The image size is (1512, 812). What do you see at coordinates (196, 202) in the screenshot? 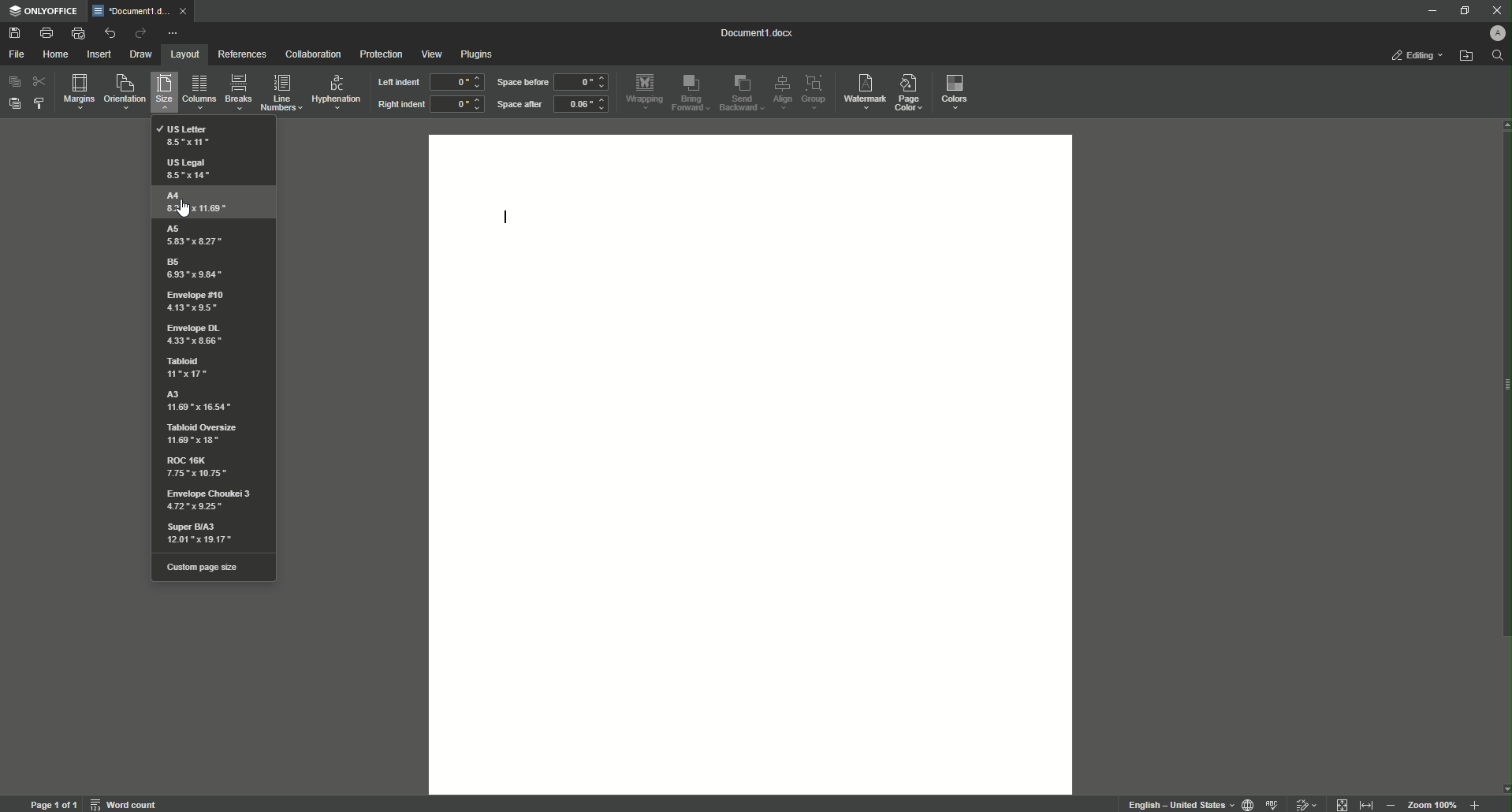
I see `A4` at bounding box center [196, 202].